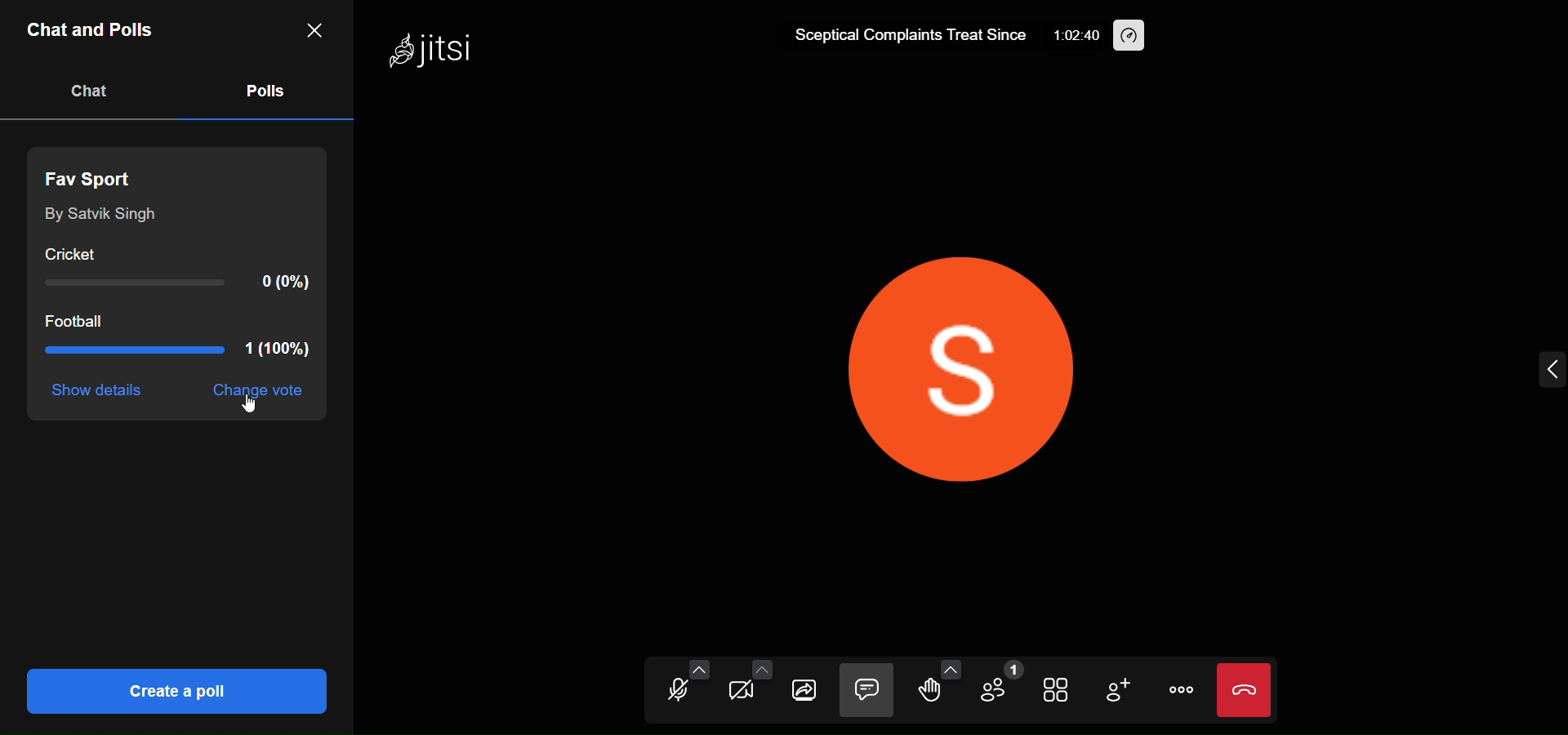  Describe the element at coordinates (313, 29) in the screenshot. I see `close` at that location.